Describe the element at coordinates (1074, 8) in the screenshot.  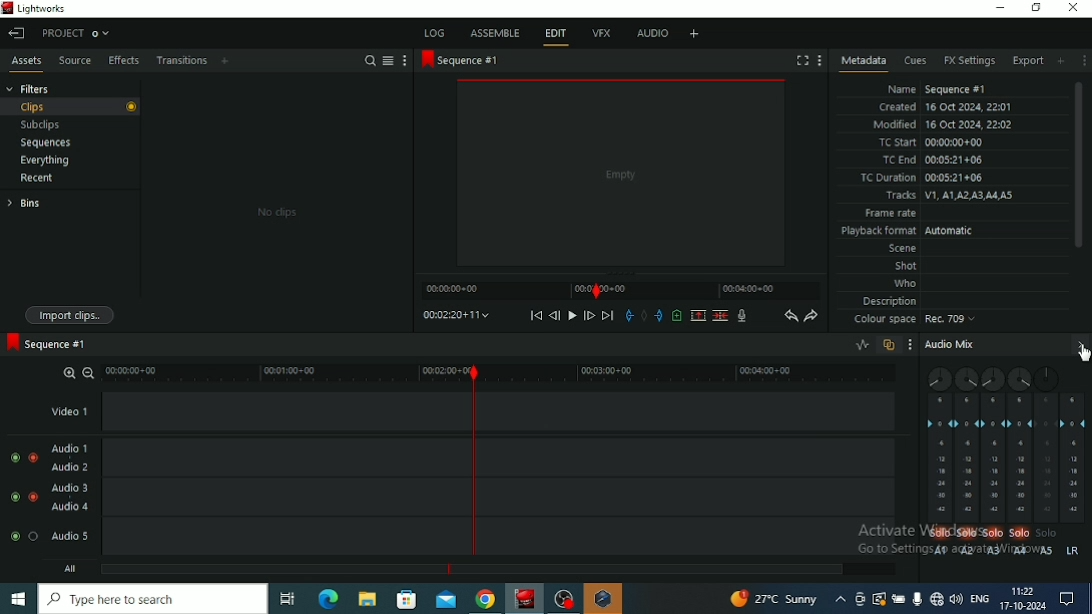
I see `Close` at that location.